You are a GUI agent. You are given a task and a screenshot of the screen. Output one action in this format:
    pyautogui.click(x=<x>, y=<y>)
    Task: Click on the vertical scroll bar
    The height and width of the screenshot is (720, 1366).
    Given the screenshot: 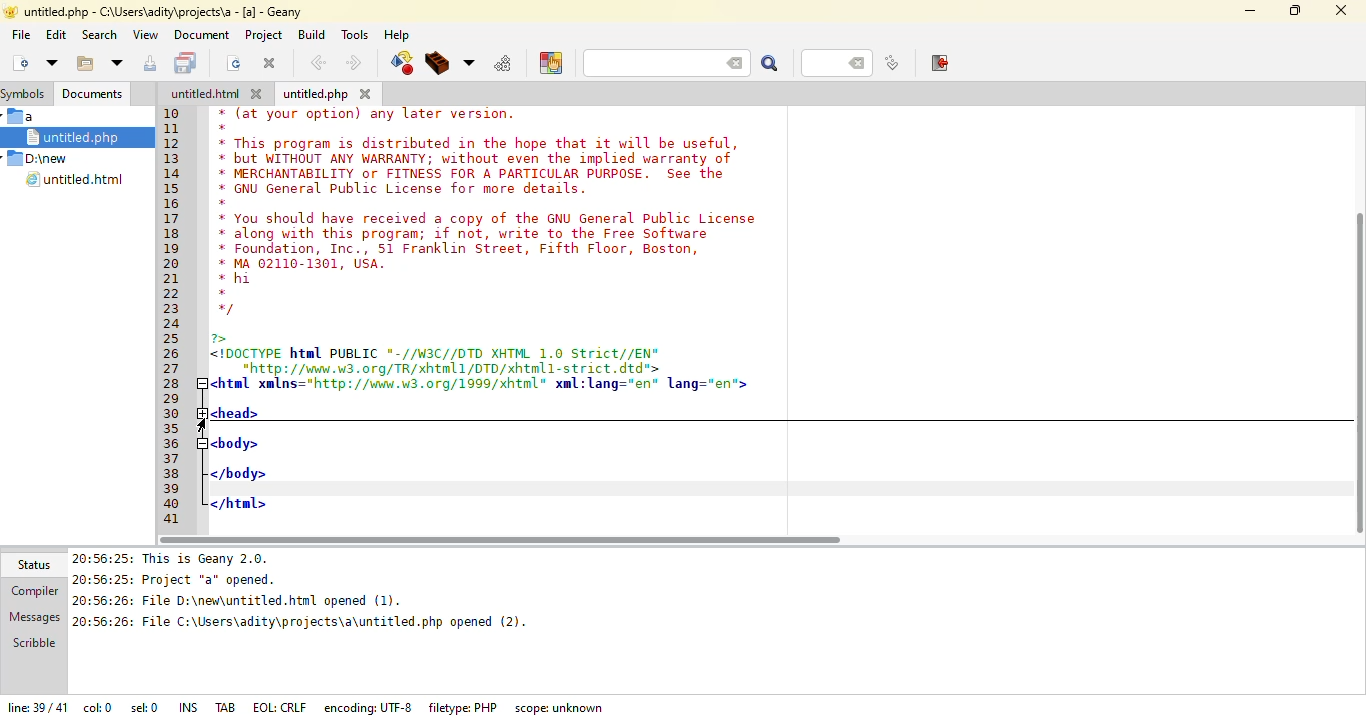 What is the action you would take?
    pyautogui.click(x=1365, y=385)
    